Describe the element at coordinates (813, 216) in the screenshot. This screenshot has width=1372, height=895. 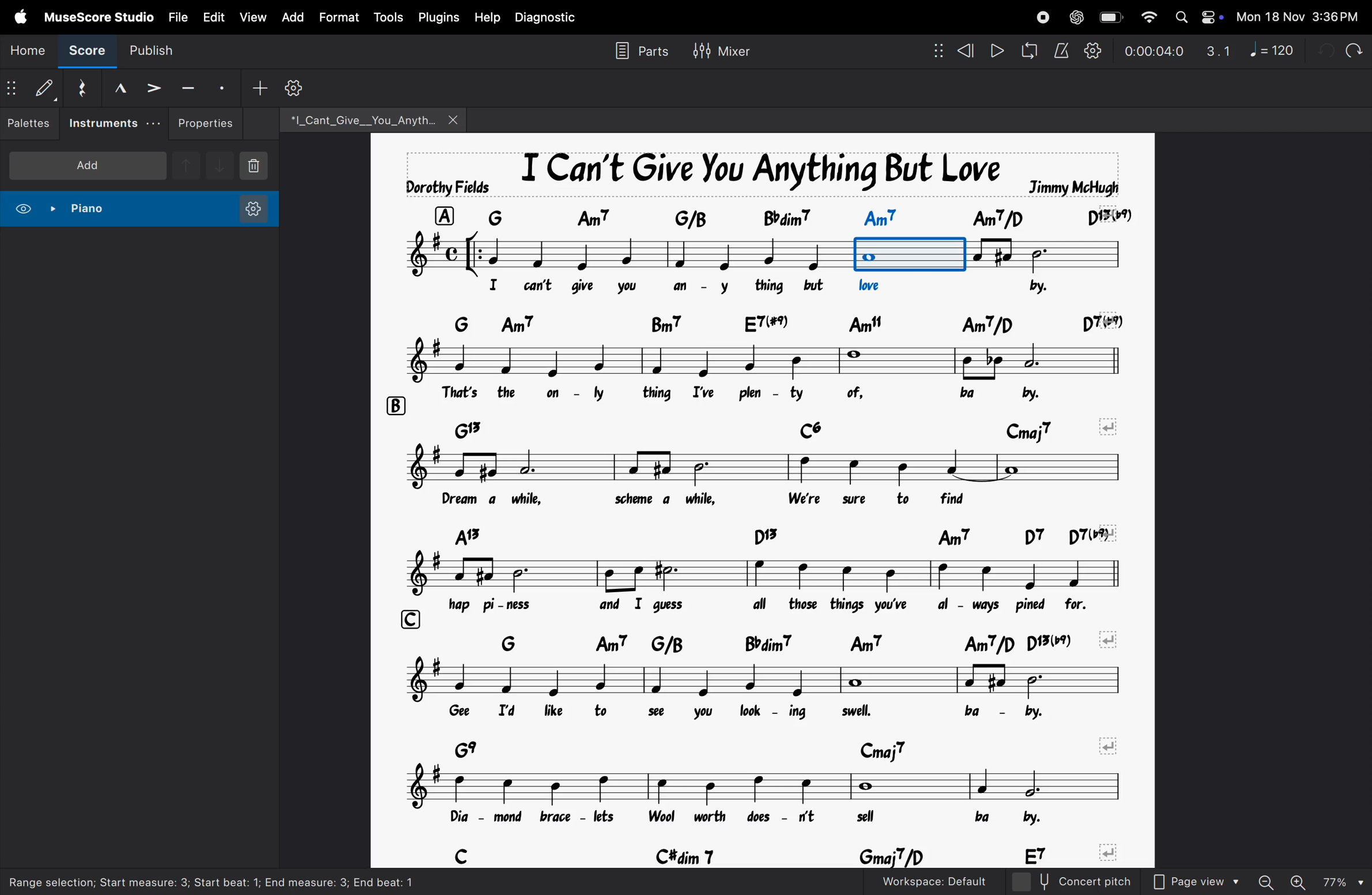
I see `chord symbol` at that location.